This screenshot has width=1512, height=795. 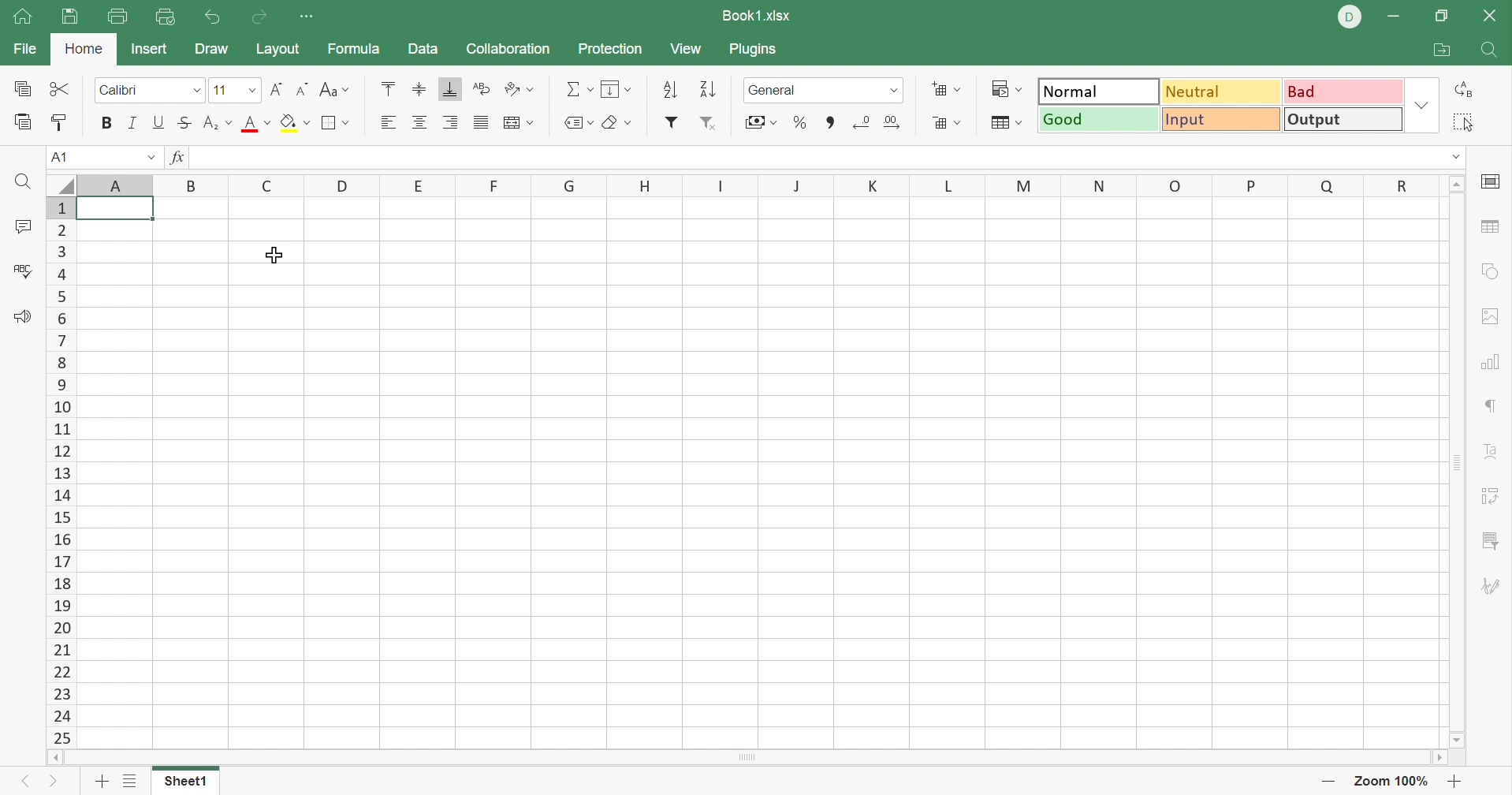 I want to click on Underline, so click(x=160, y=121).